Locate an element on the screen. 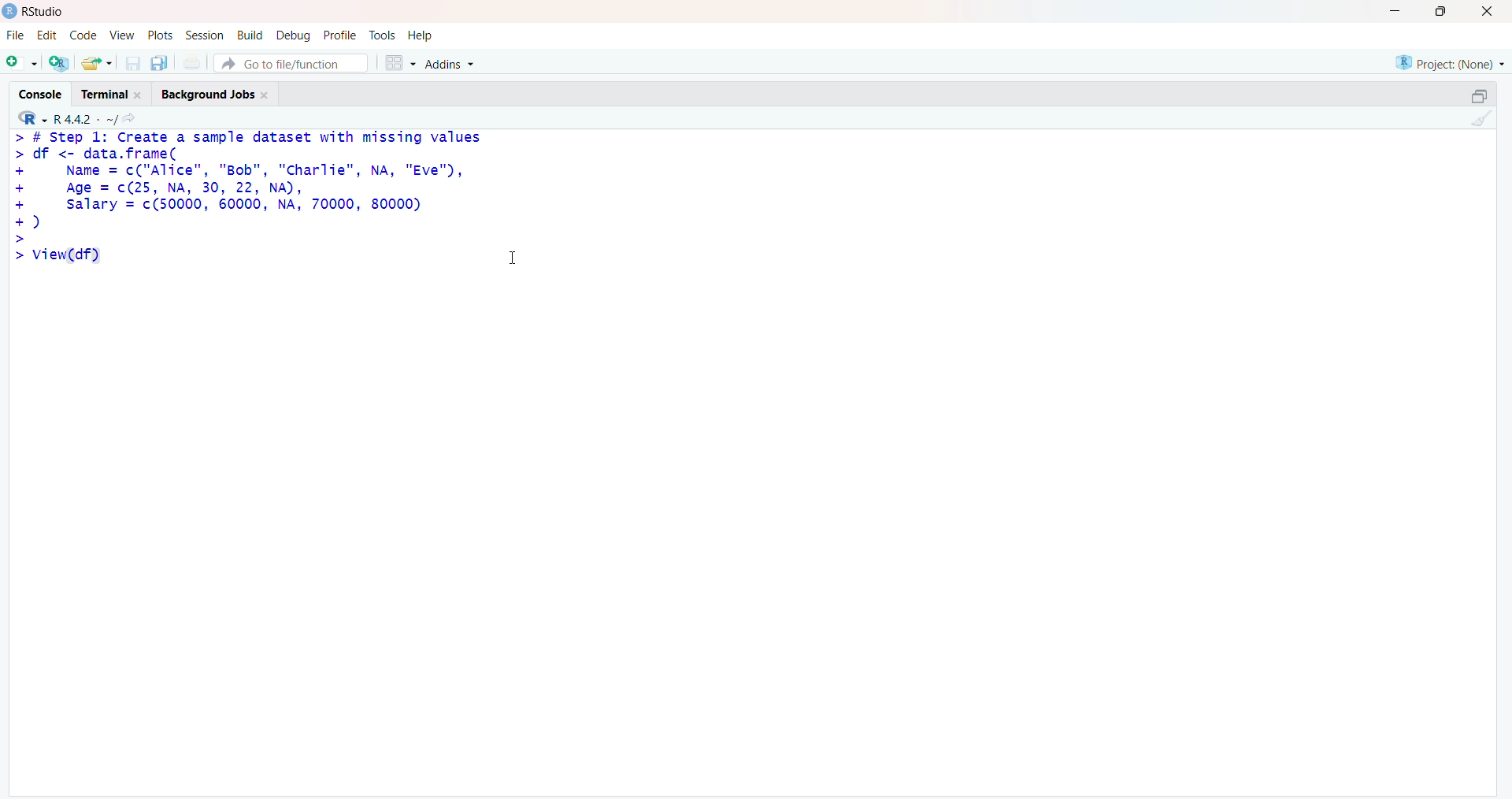  Tools is located at coordinates (384, 35).